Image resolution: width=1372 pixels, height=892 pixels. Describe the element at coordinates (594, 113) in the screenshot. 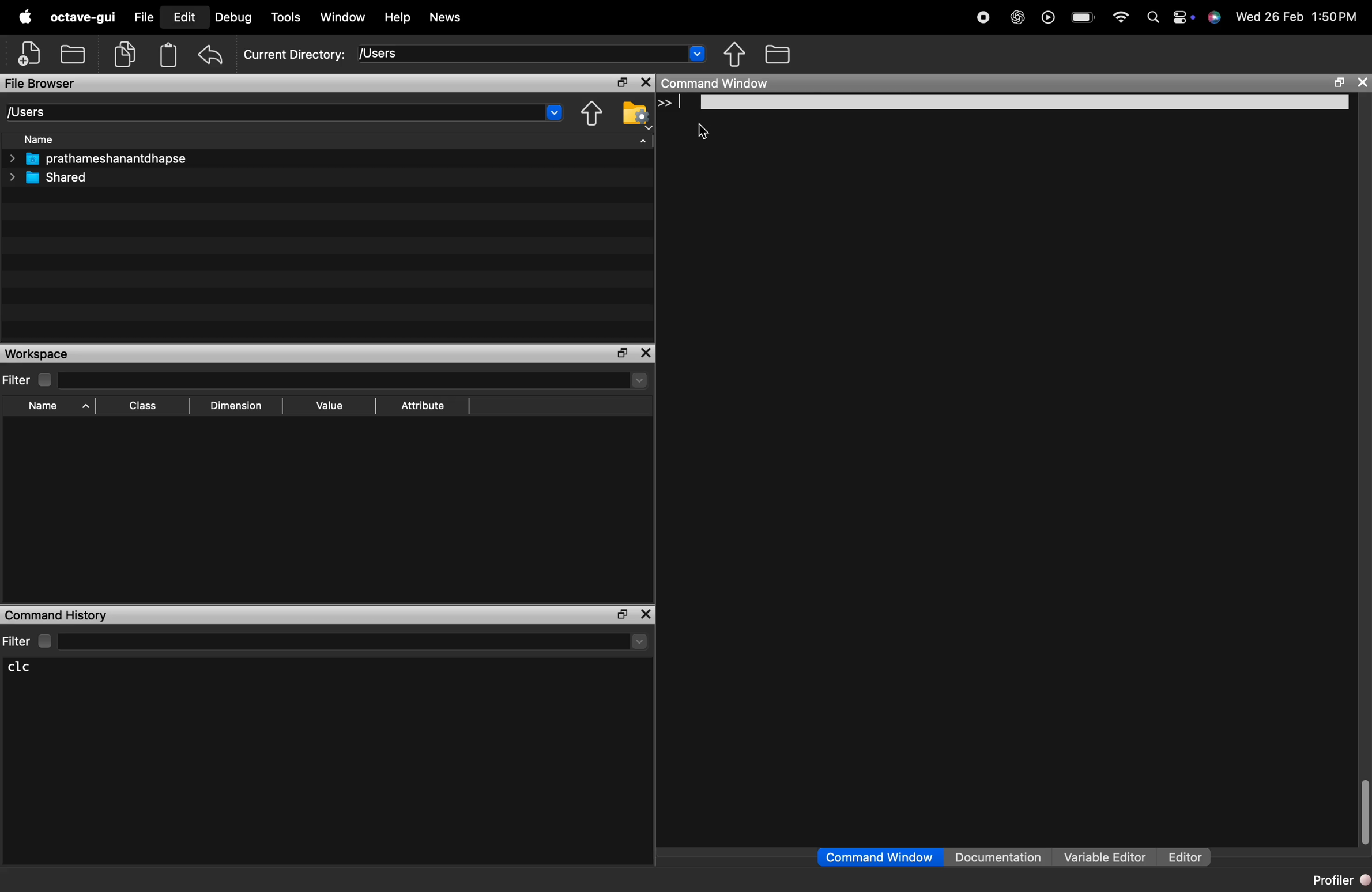

I see `one directory up` at that location.